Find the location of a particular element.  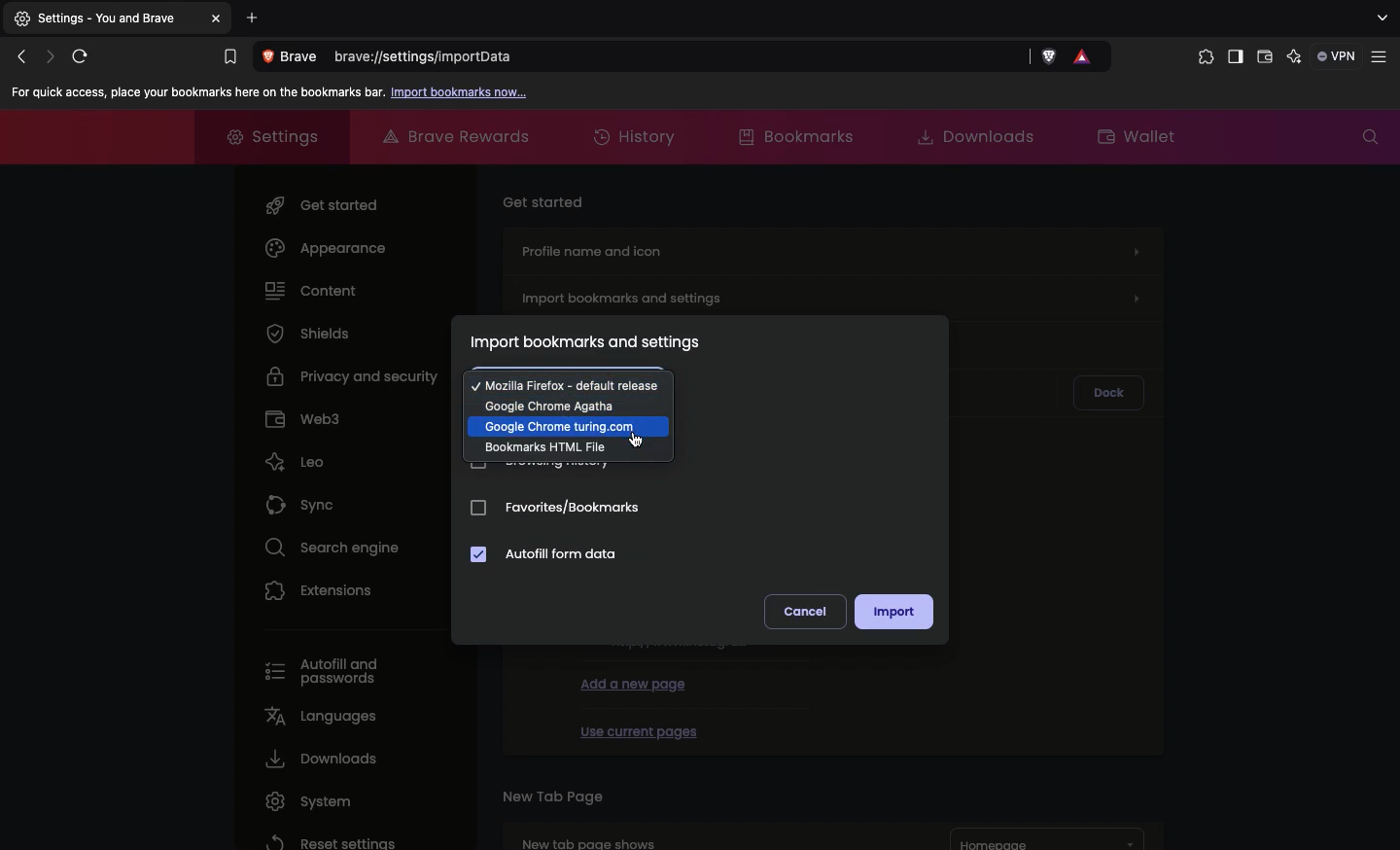

Content is located at coordinates (312, 289).